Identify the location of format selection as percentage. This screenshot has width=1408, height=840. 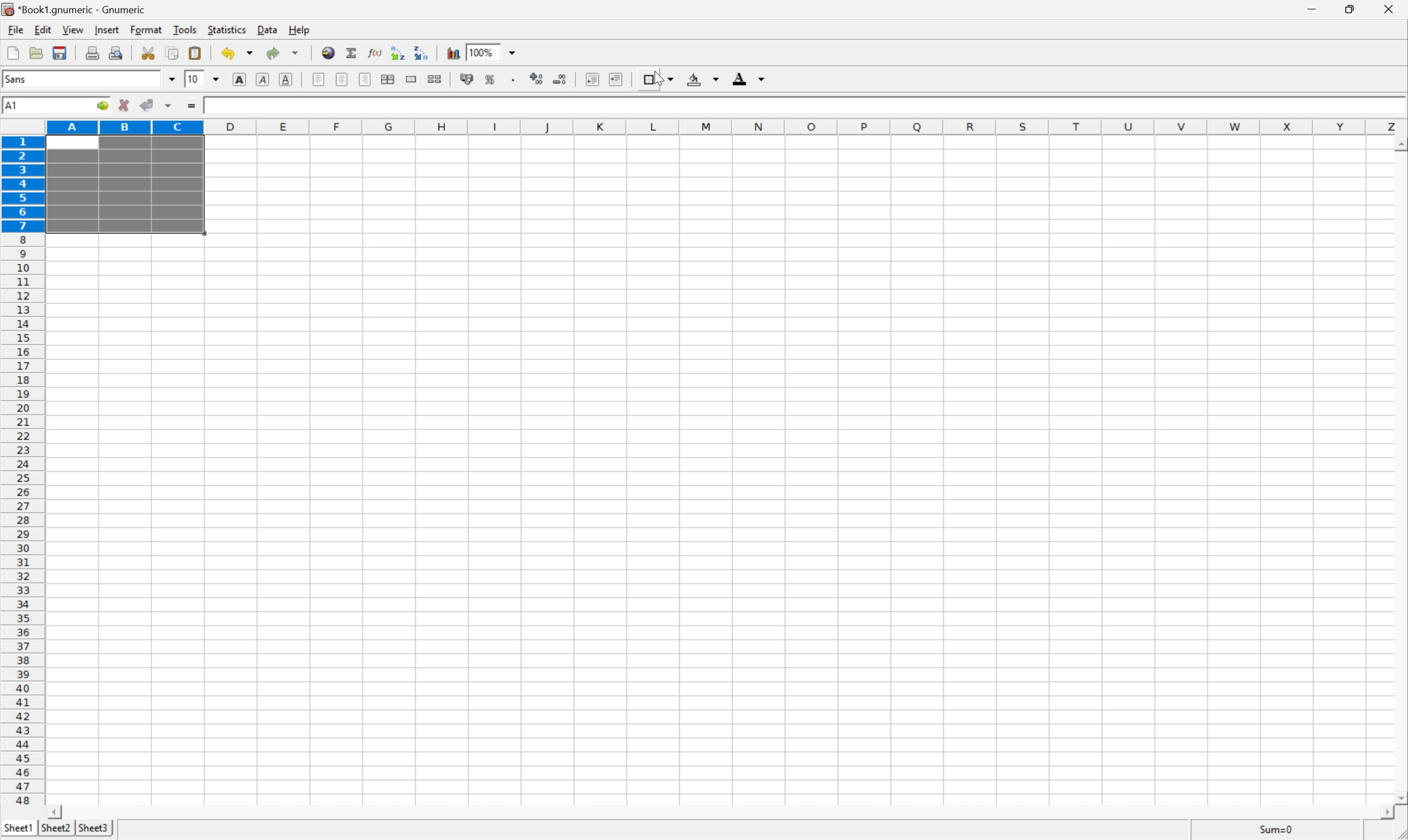
(491, 79).